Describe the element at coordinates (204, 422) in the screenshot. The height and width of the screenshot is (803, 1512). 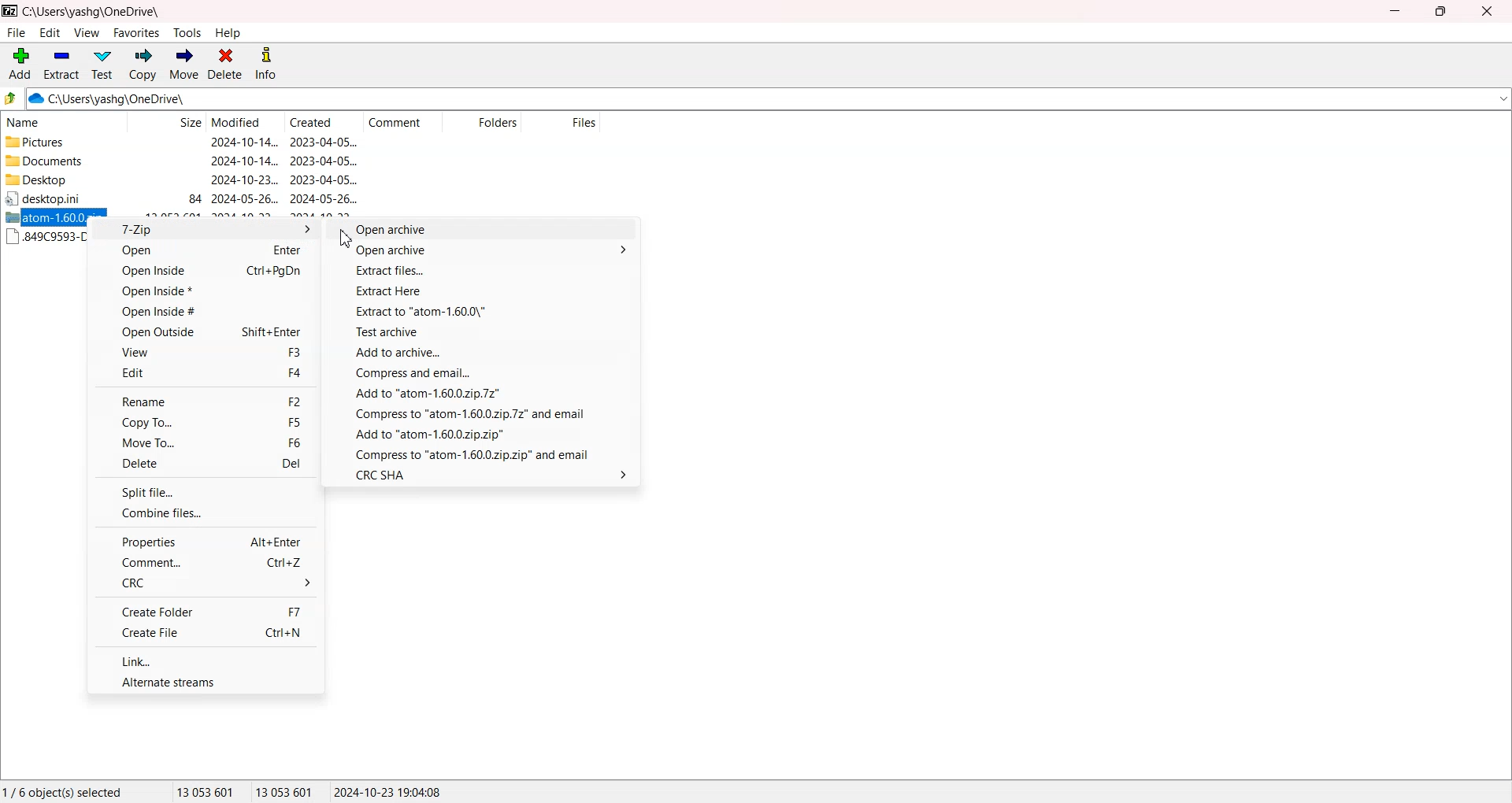
I see `Copy To` at that location.